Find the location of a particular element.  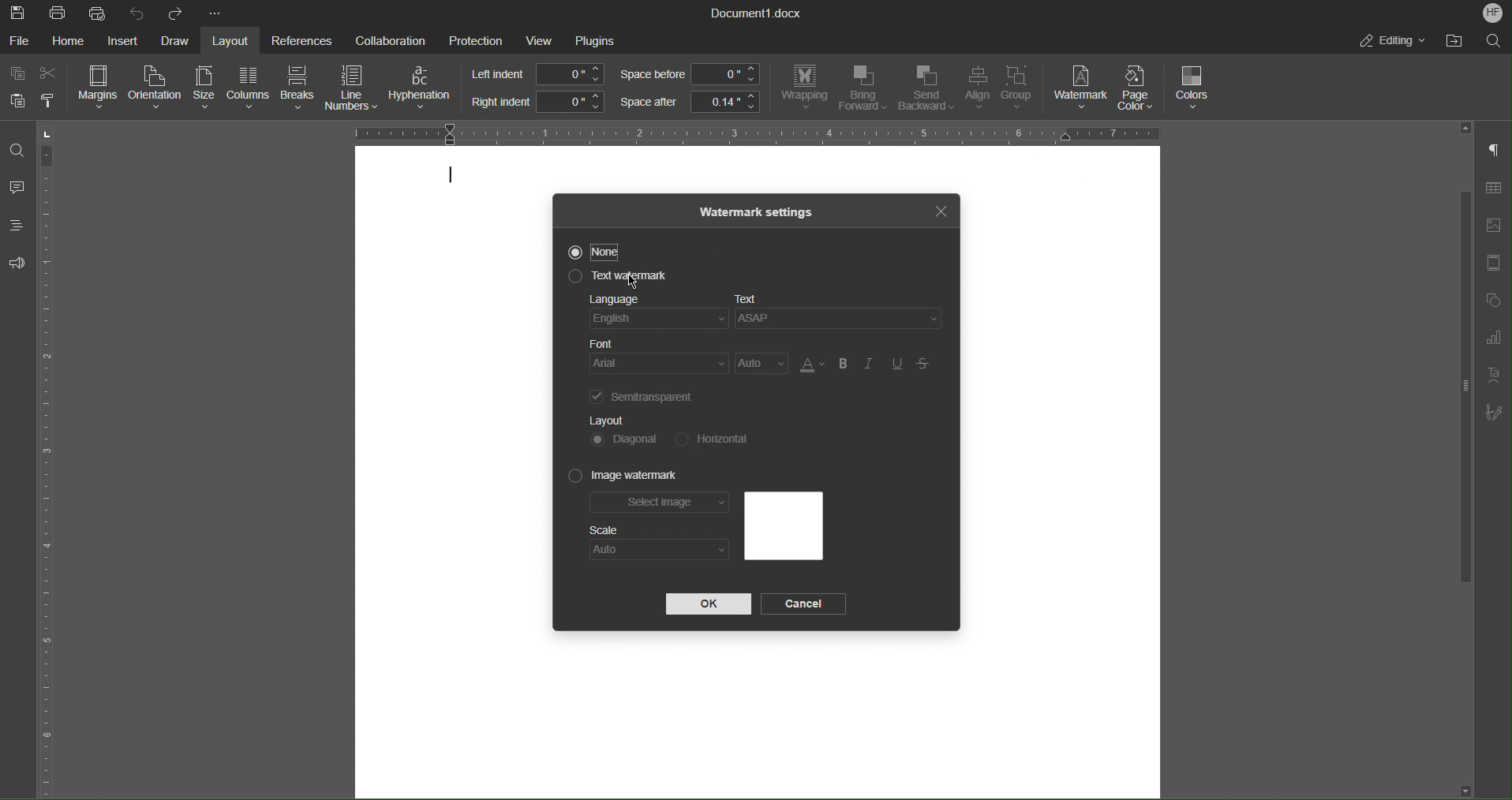

Bring Forward is located at coordinates (863, 88).